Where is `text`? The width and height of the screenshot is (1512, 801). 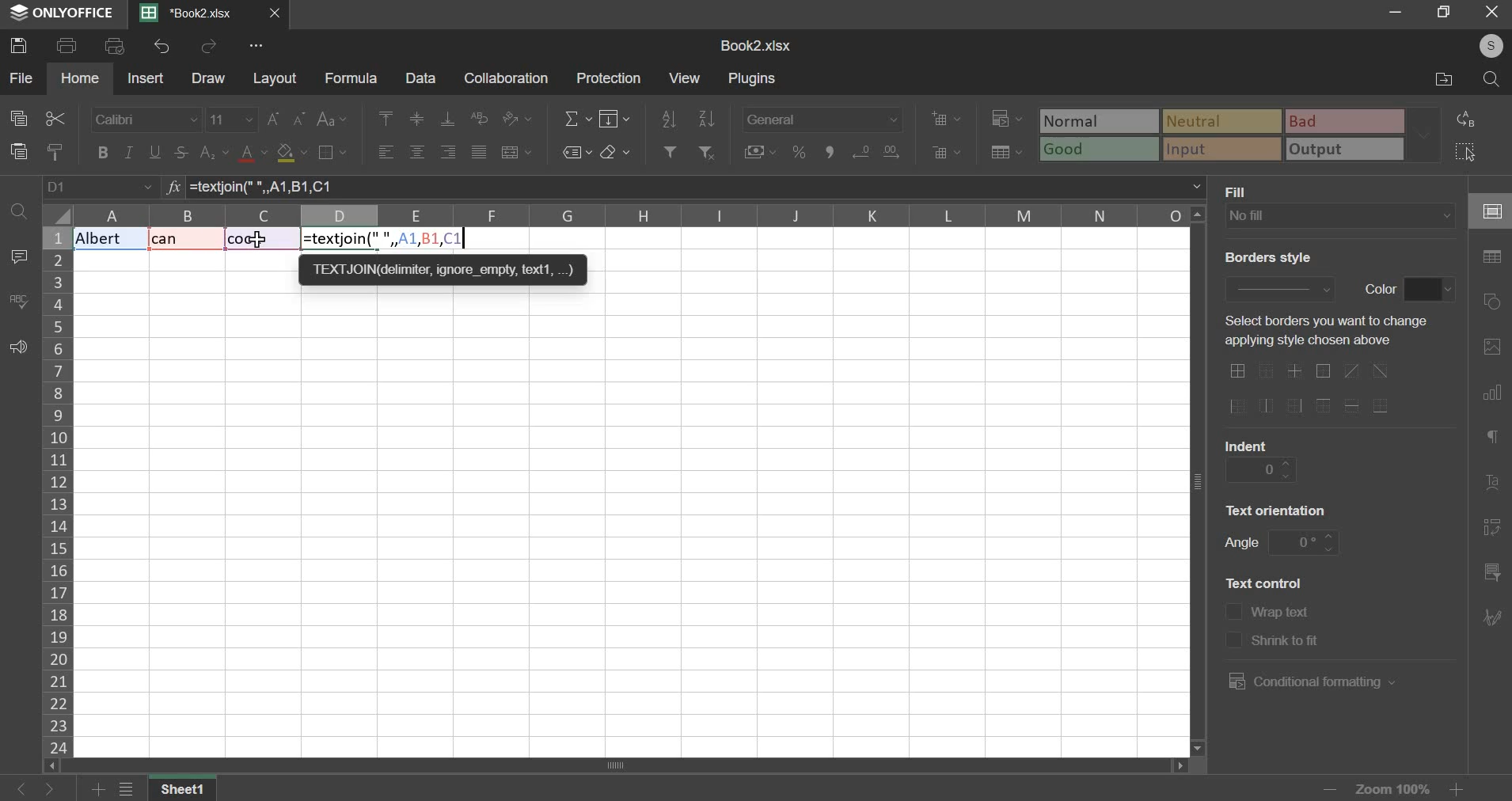
text is located at coordinates (1241, 191).